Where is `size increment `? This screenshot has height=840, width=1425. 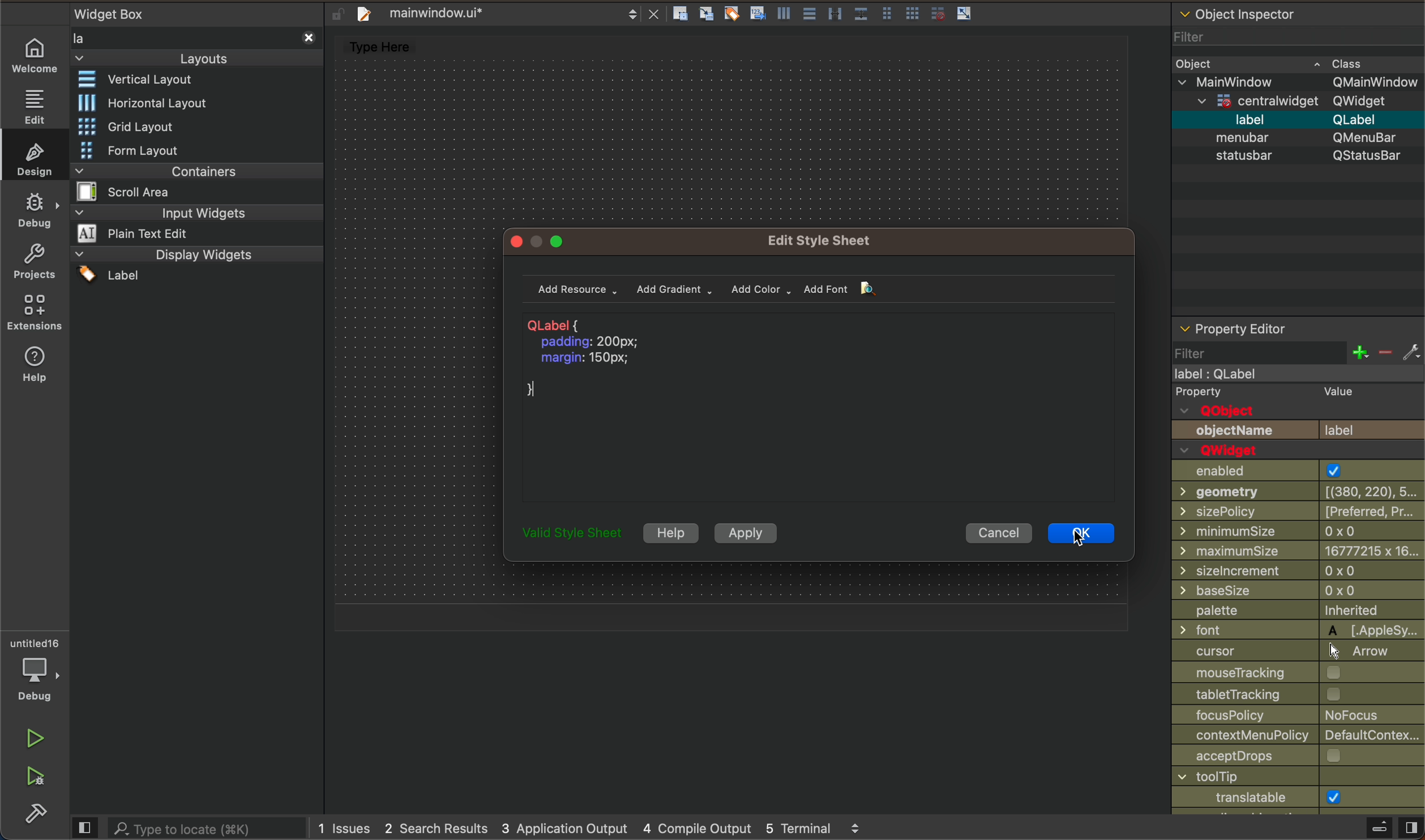 size increment  is located at coordinates (1298, 570).